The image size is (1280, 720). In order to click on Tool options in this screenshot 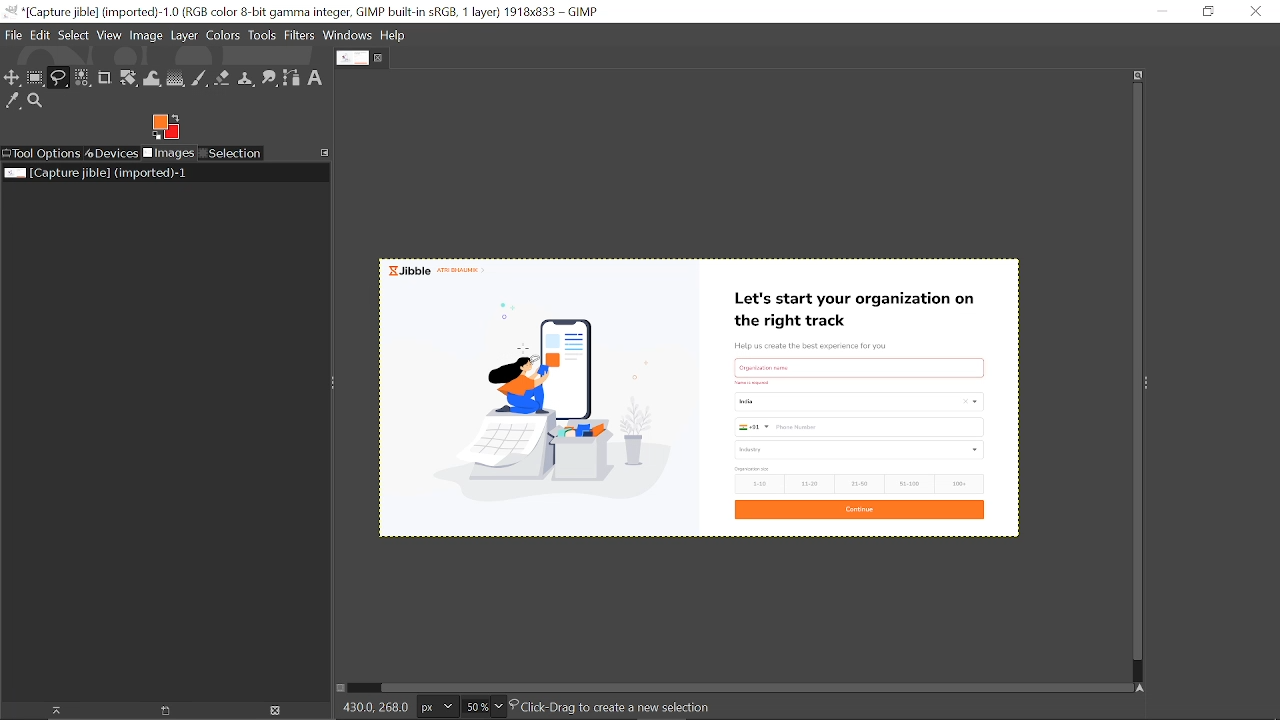, I will do `click(41, 154)`.